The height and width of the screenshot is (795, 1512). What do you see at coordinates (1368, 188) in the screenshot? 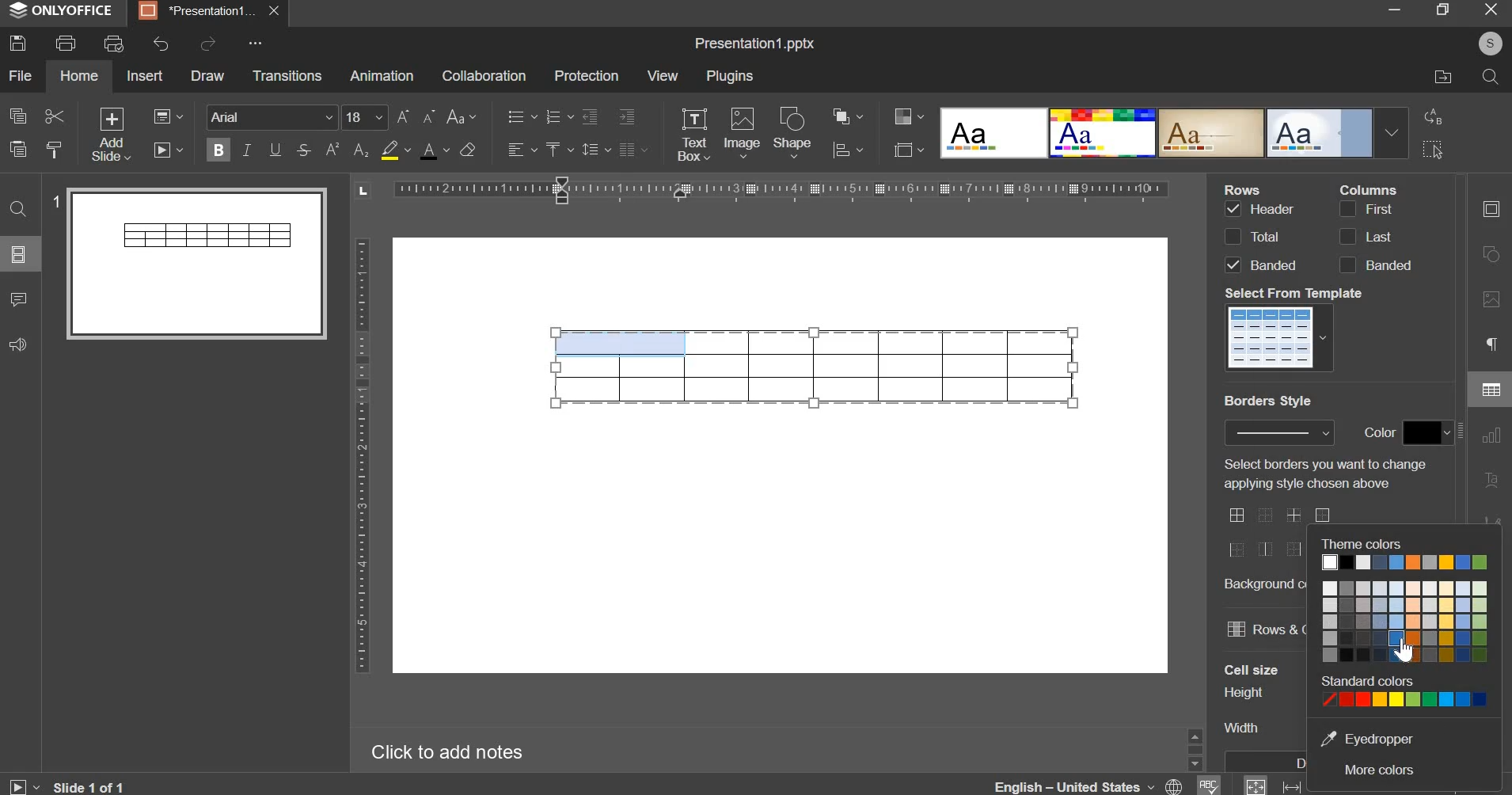
I see `Column` at bounding box center [1368, 188].